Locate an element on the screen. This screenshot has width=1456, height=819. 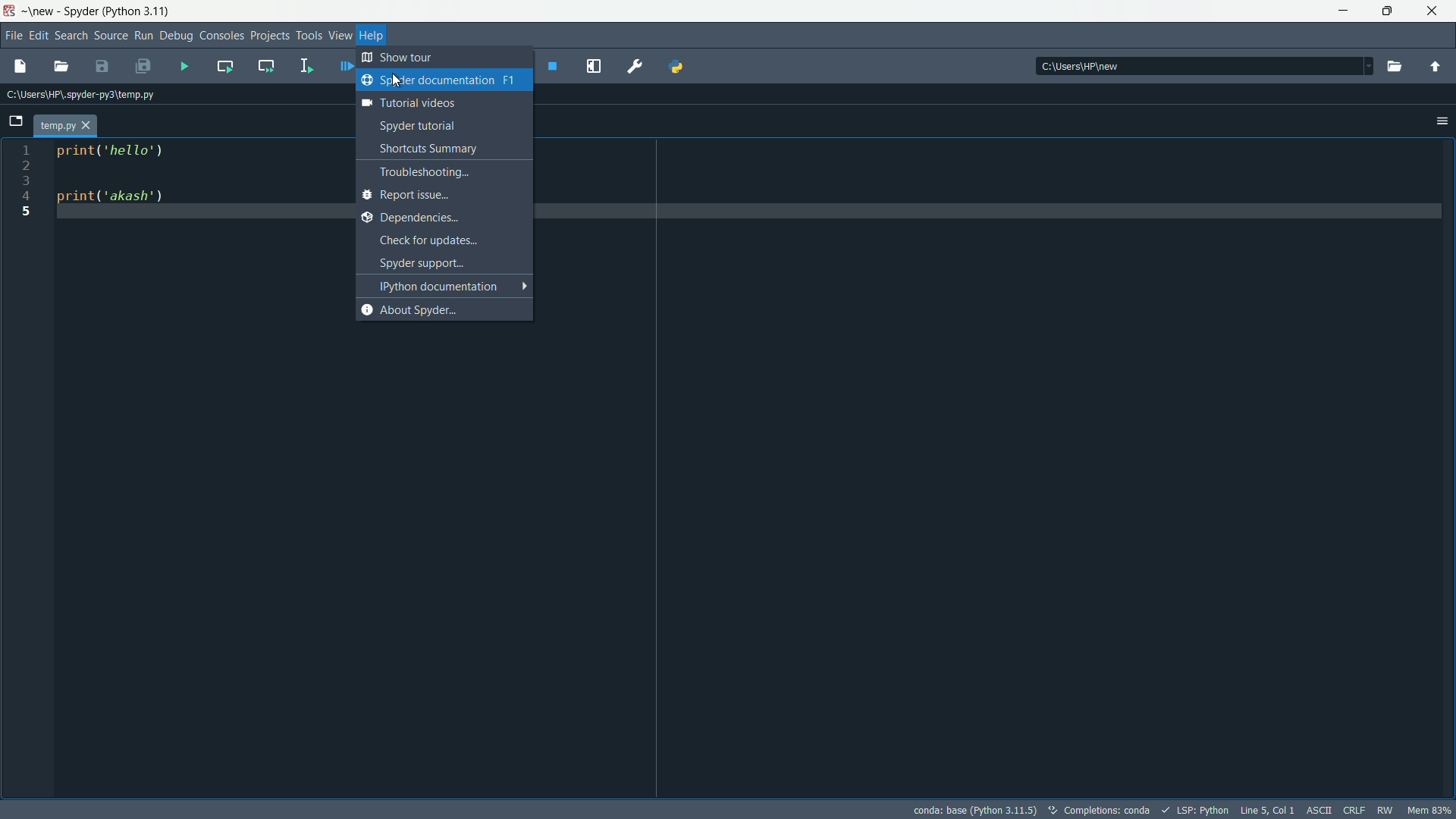
1 2 3 4 5 is located at coordinates (29, 180).